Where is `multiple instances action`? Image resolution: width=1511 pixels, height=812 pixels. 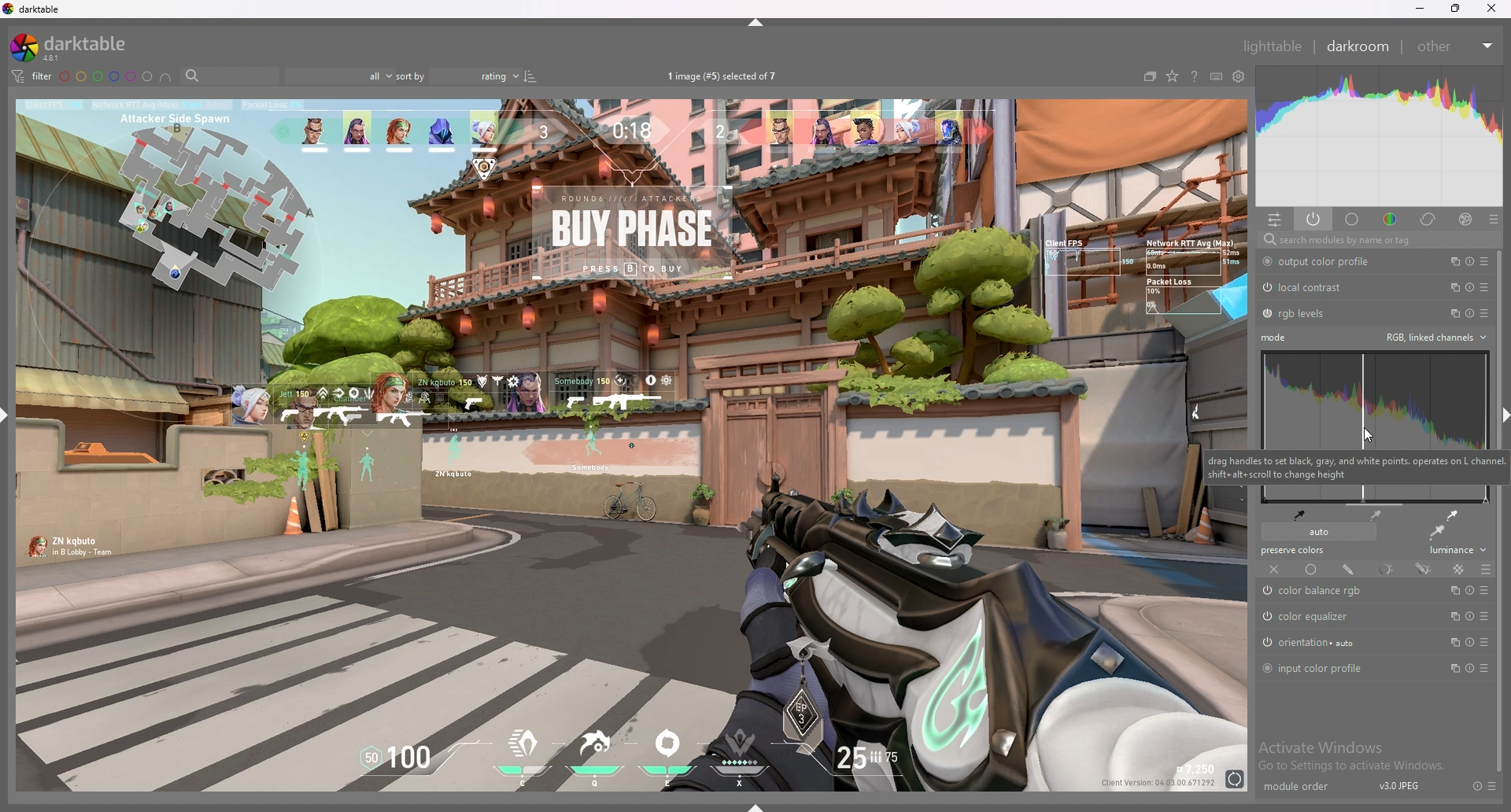
multiple instances action is located at coordinates (1451, 615).